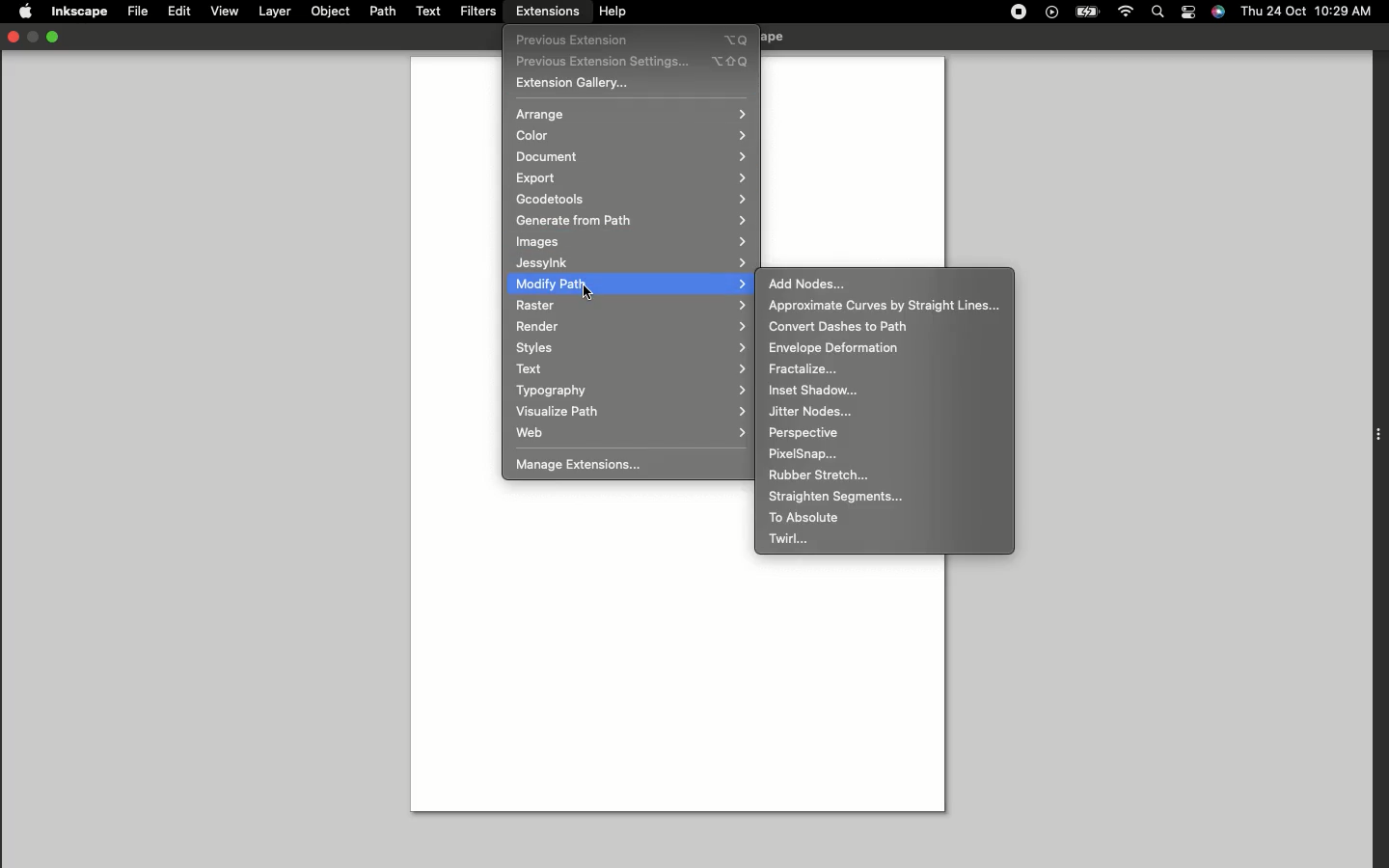 This screenshot has height=868, width=1389. Describe the element at coordinates (804, 453) in the screenshot. I see `PixelSnap` at that location.